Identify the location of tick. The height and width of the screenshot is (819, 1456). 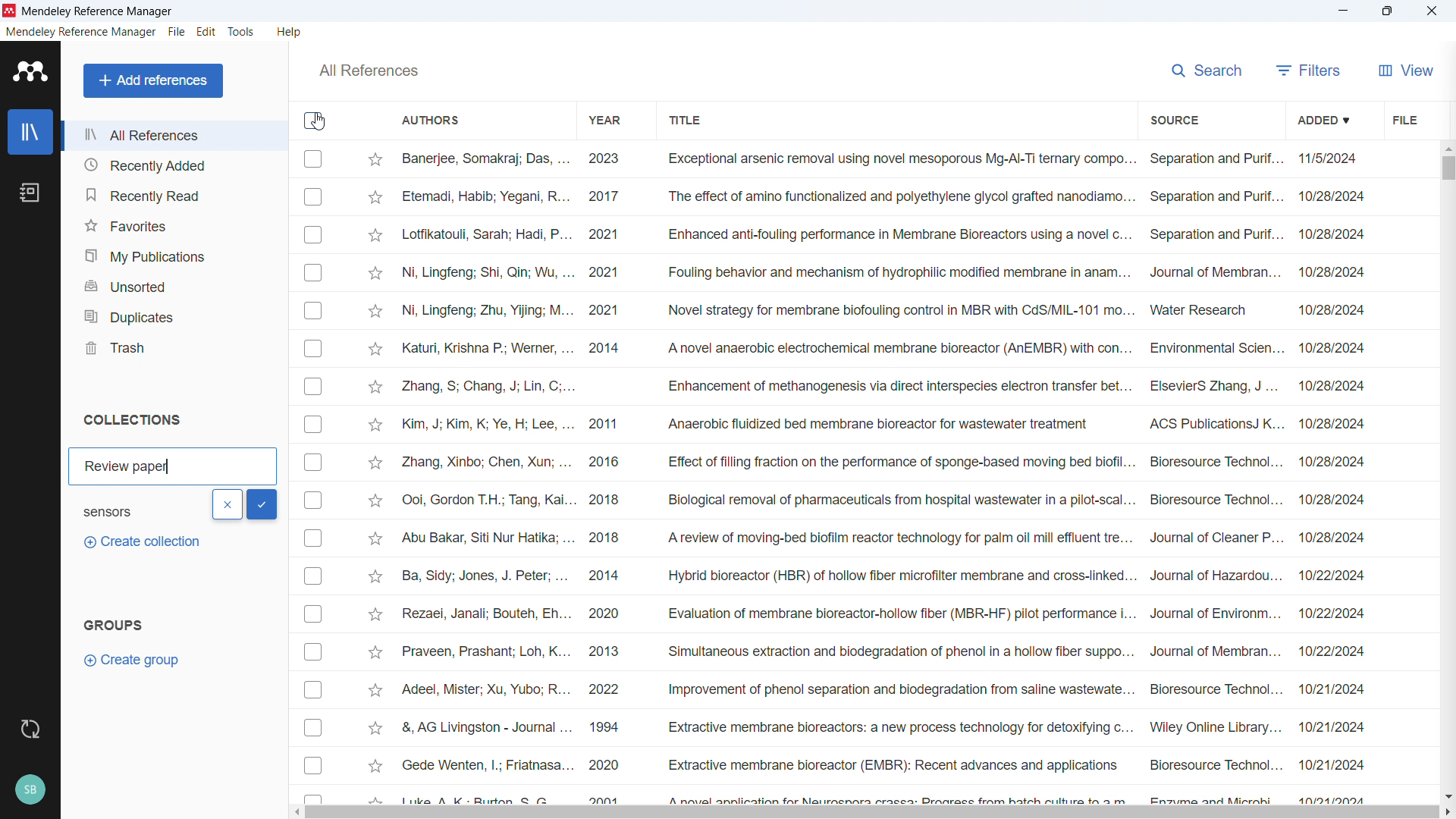
(262, 505).